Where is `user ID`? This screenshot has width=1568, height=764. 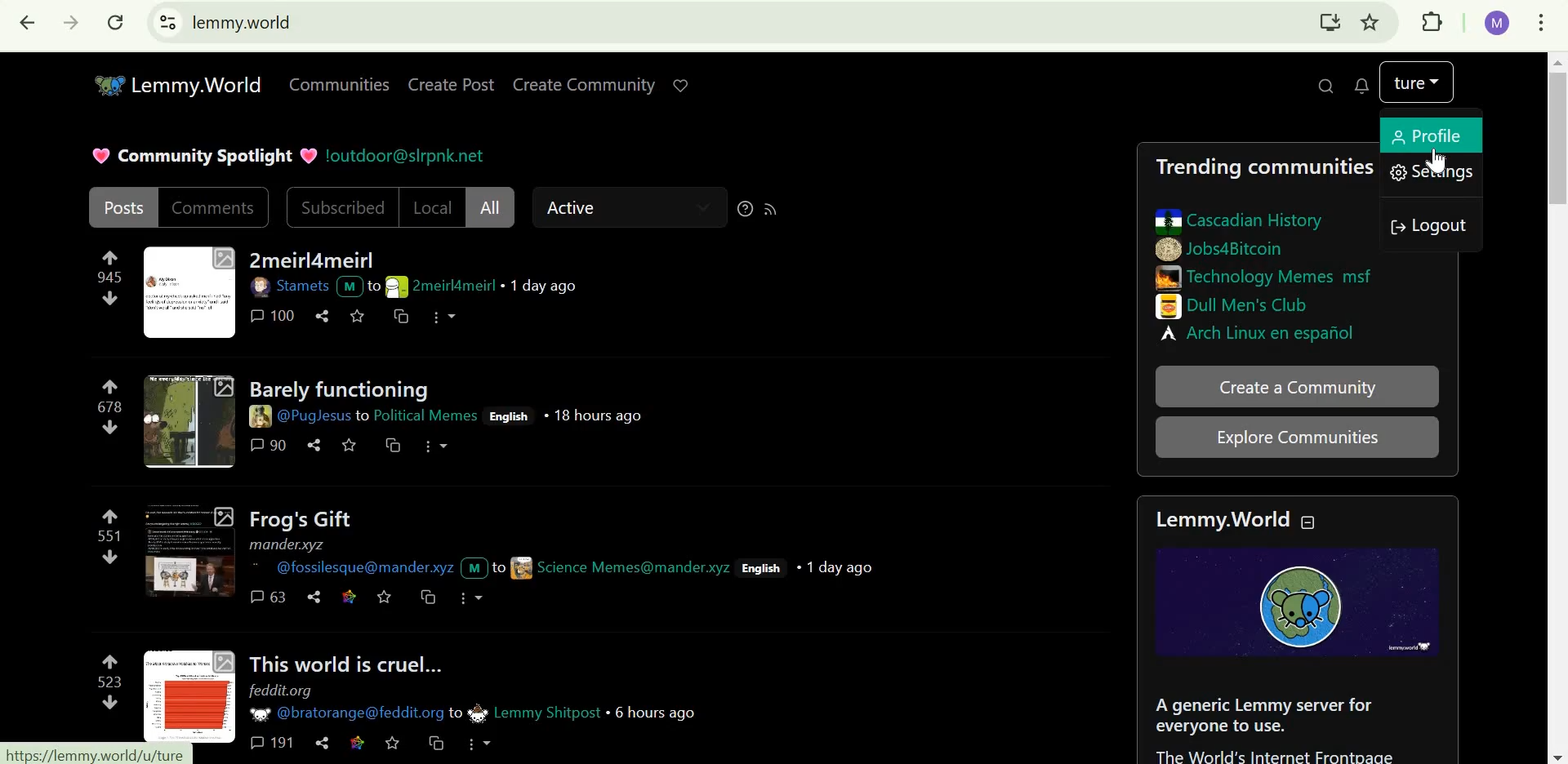
user ID is located at coordinates (305, 286).